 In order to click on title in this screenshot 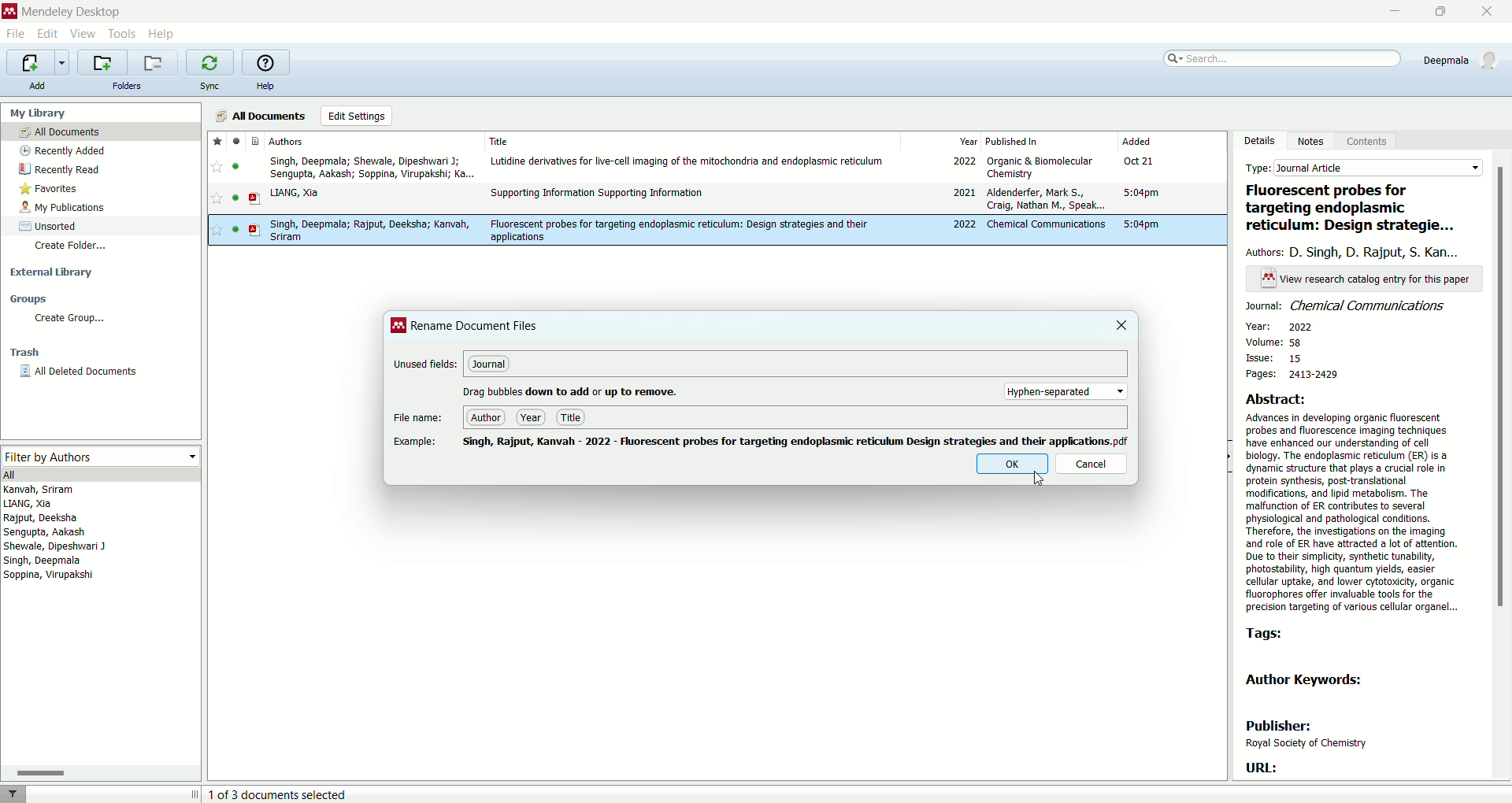, I will do `click(1354, 209)`.